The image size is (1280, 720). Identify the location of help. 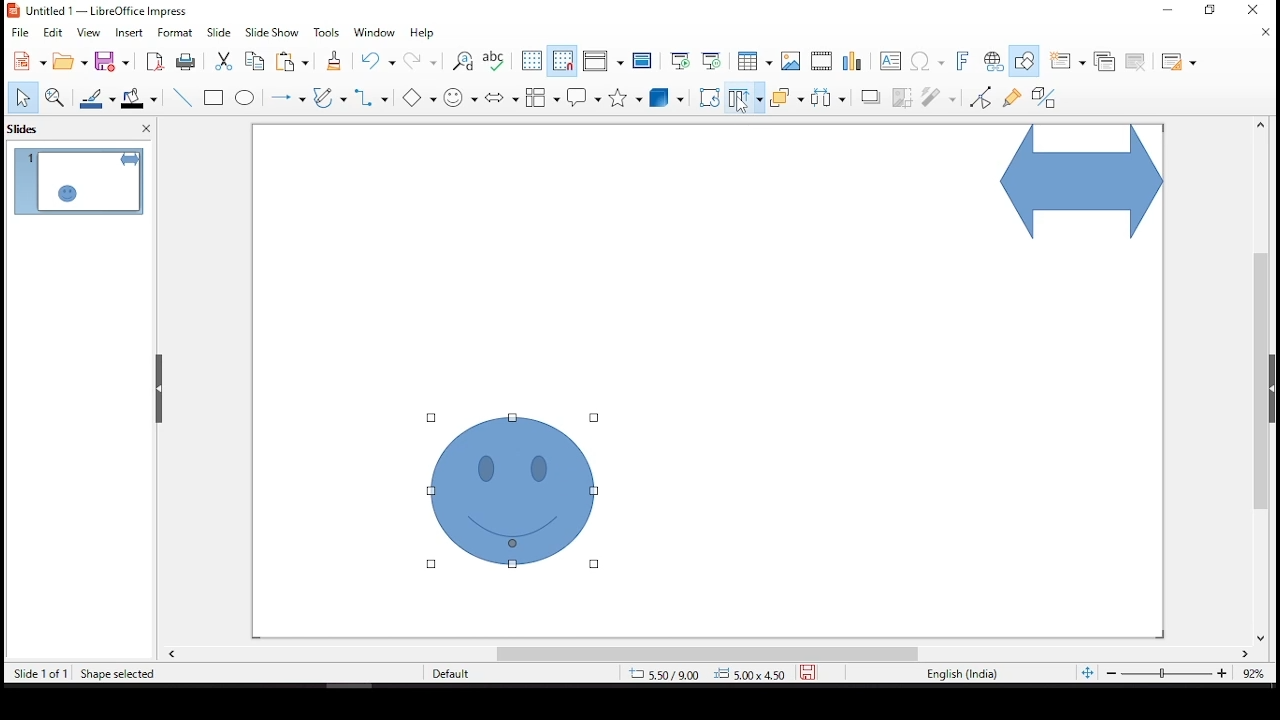
(423, 34).